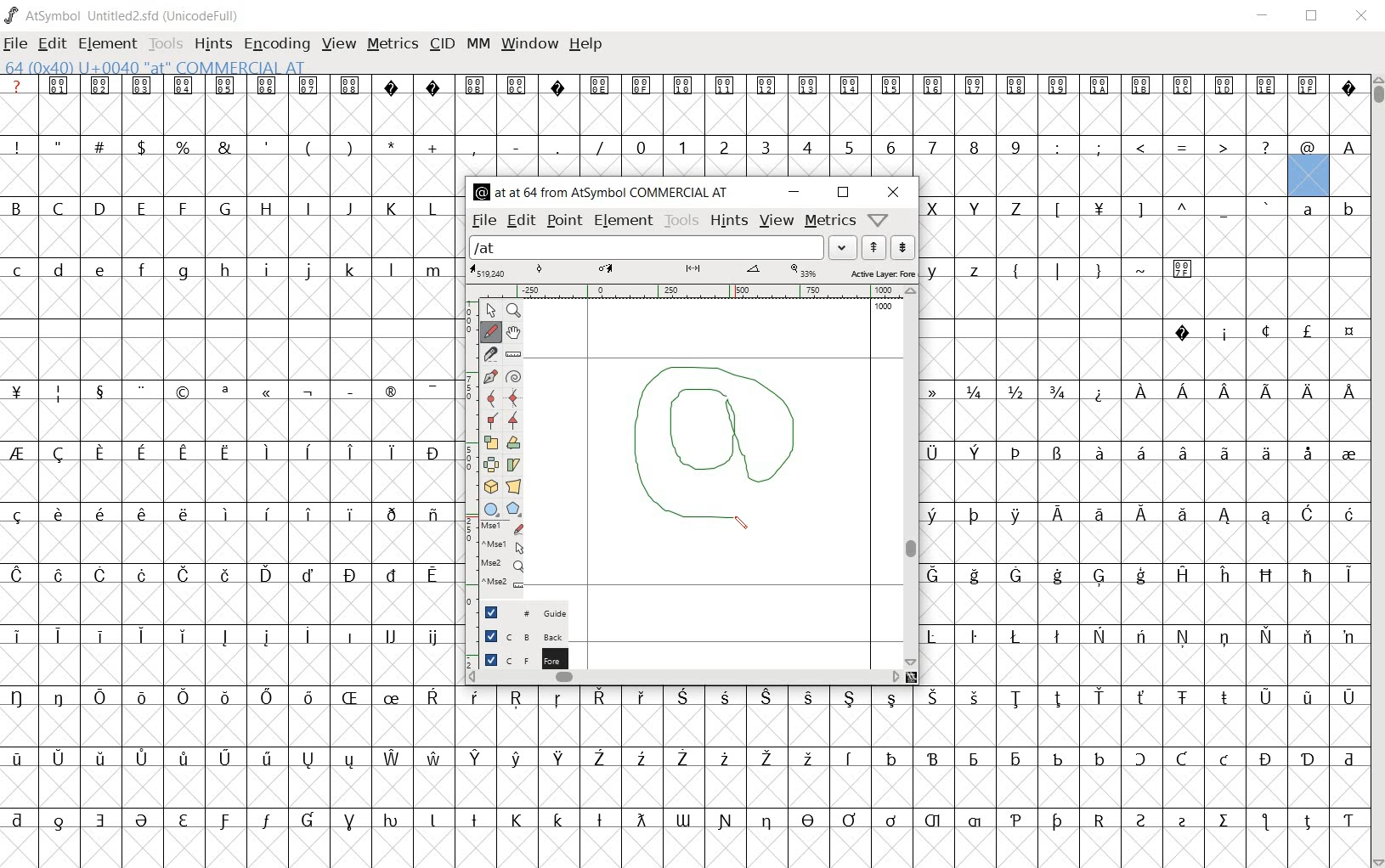 This screenshot has height=868, width=1385. Describe the element at coordinates (108, 45) in the screenshot. I see `ELEMENT` at that location.